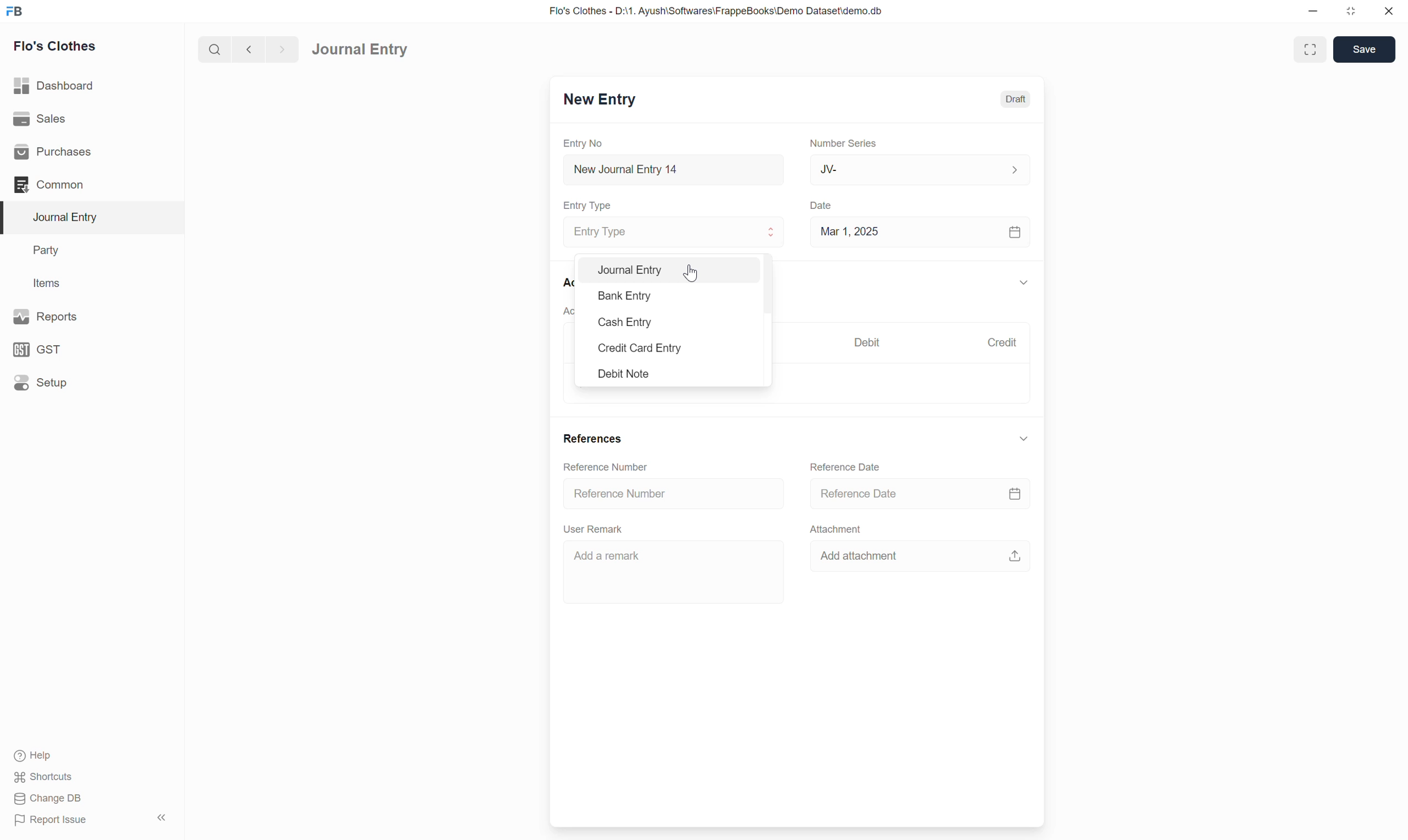  What do you see at coordinates (646, 170) in the screenshot?
I see `New Journal Entry 14` at bounding box center [646, 170].